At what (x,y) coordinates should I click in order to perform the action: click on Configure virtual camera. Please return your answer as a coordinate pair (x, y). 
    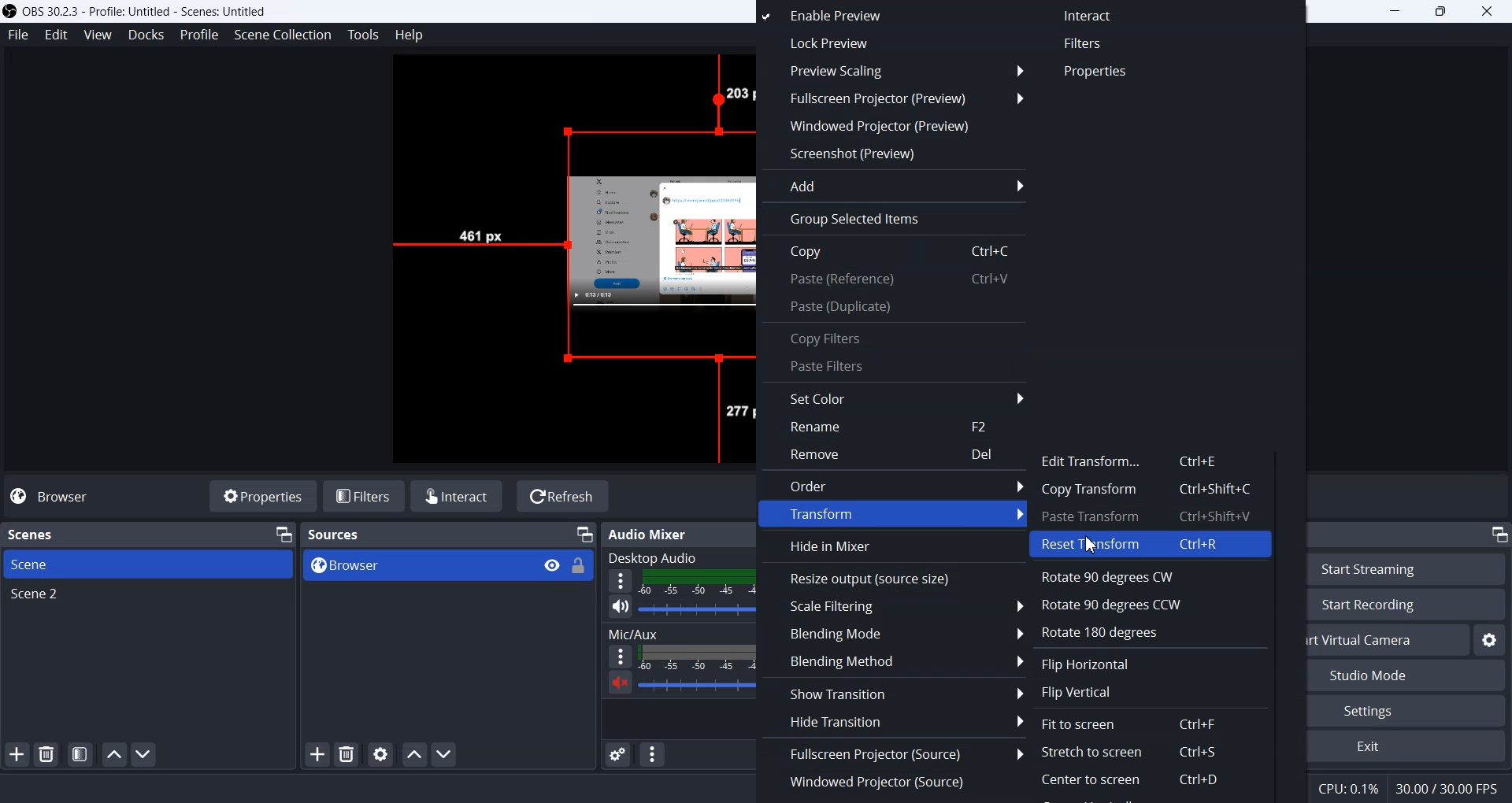
    Looking at the image, I should click on (1492, 640).